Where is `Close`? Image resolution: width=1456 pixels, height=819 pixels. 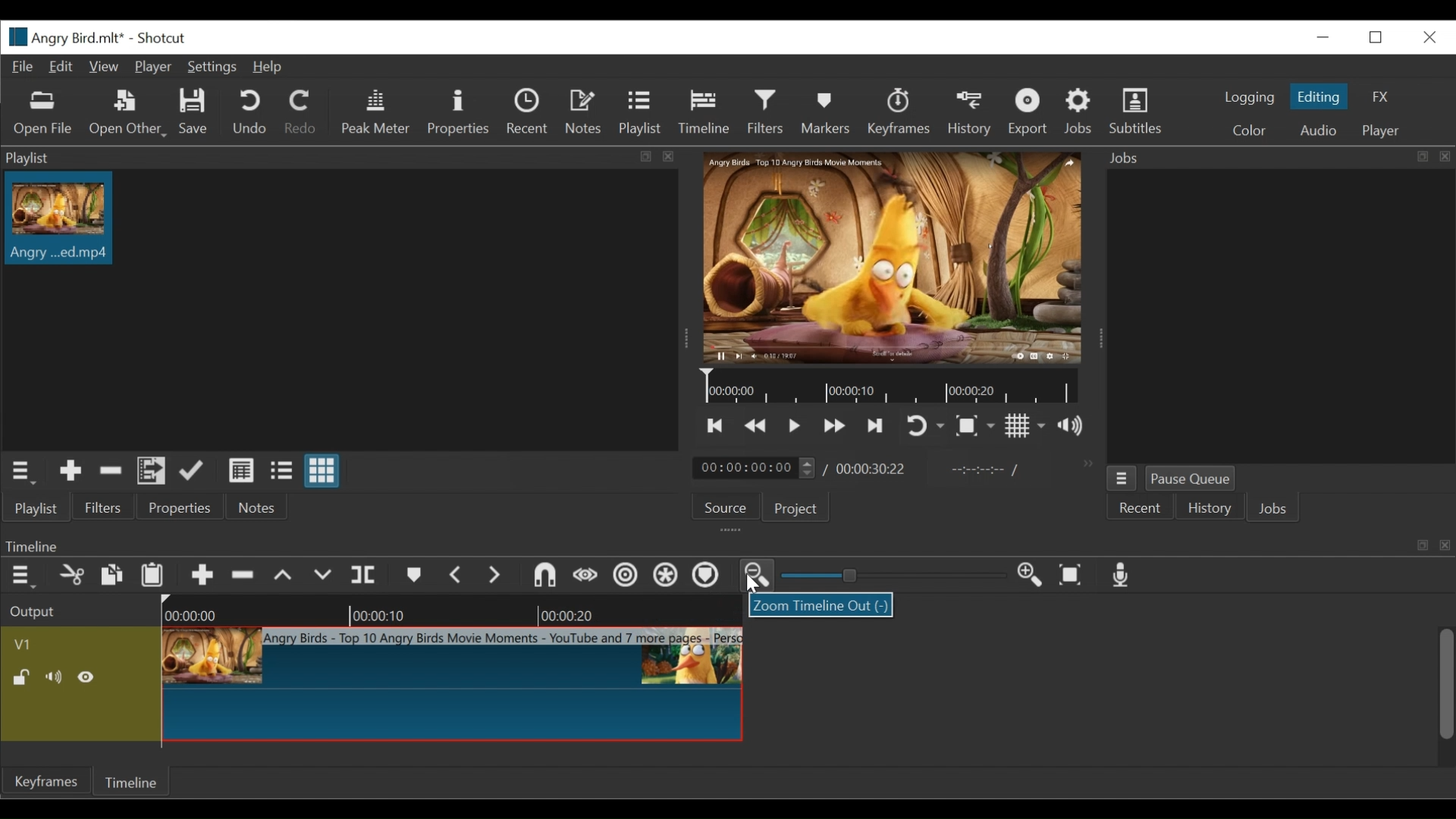 Close is located at coordinates (1326, 36).